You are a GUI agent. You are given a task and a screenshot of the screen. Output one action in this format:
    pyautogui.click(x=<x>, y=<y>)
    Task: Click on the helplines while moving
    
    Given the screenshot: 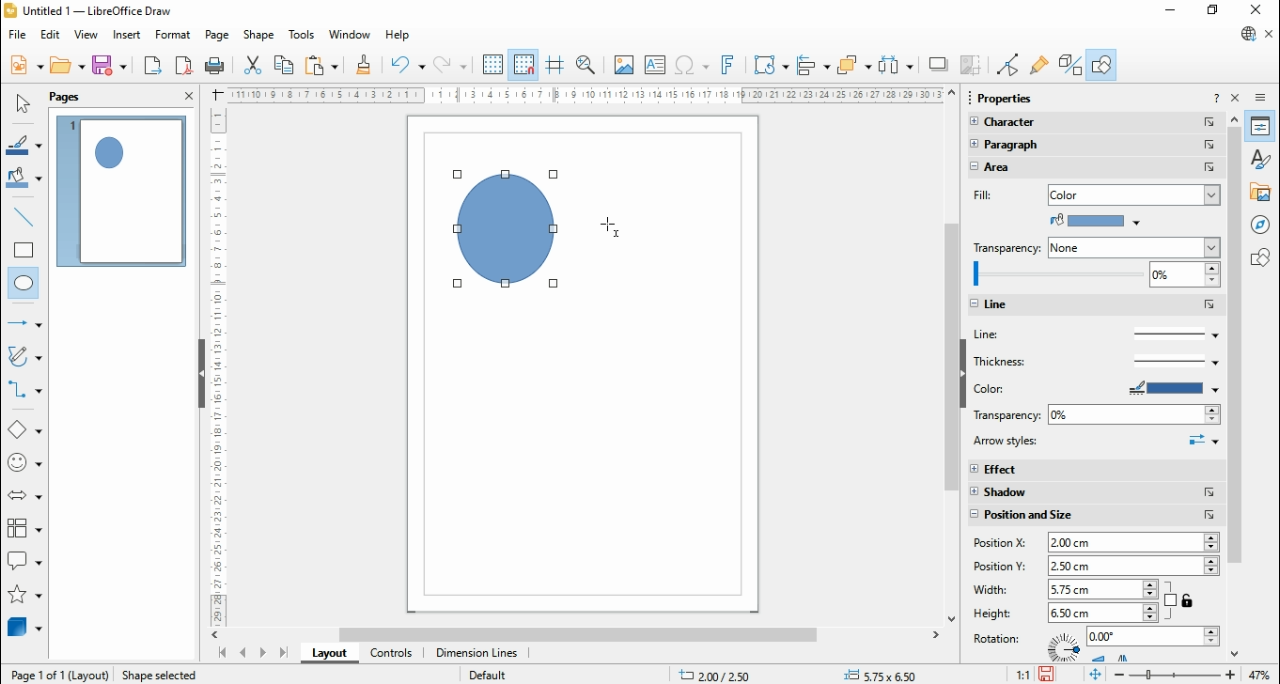 What is the action you would take?
    pyautogui.click(x=555, y=65)
    